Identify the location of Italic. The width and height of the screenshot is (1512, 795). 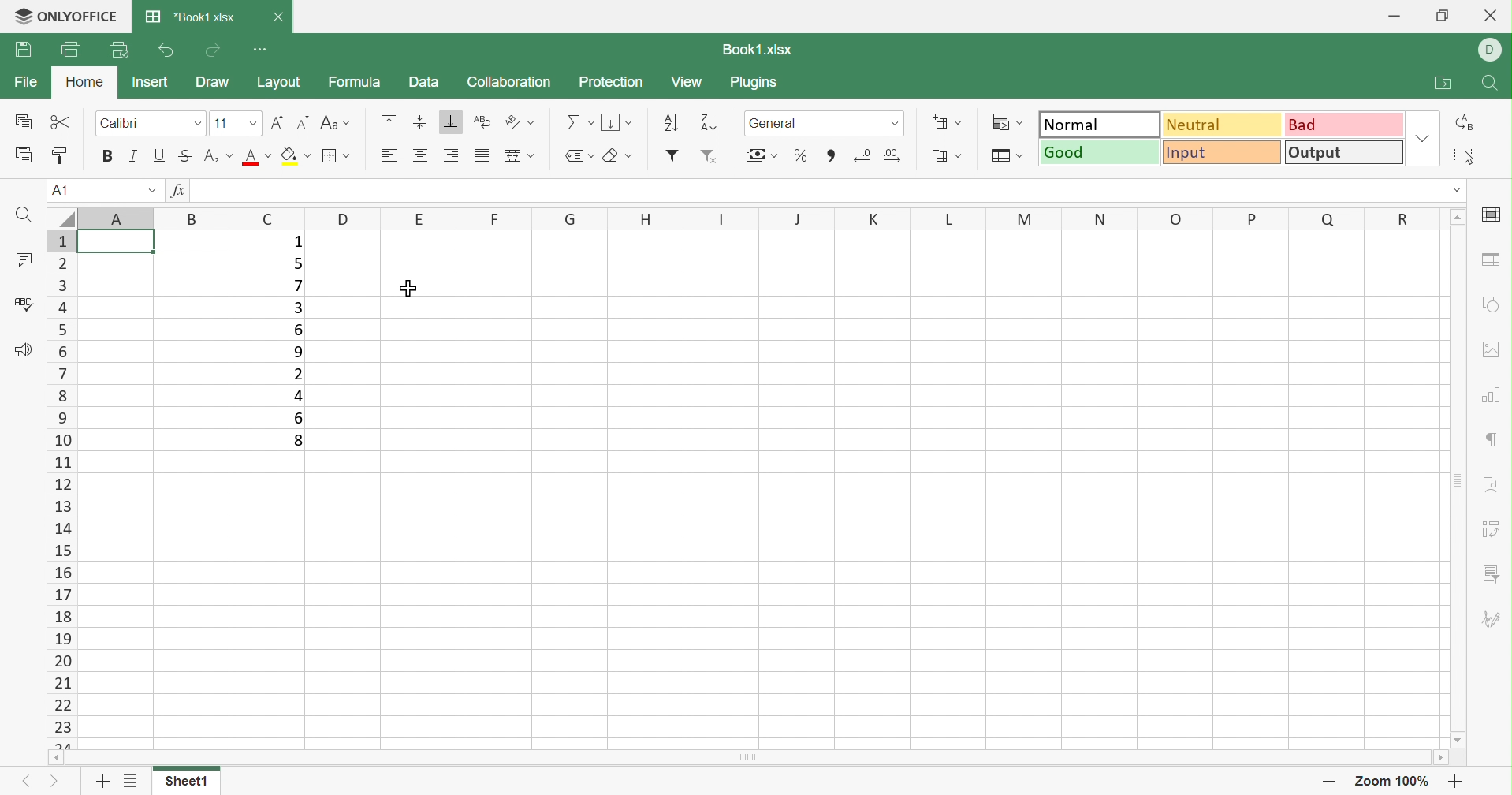
(135, 157).